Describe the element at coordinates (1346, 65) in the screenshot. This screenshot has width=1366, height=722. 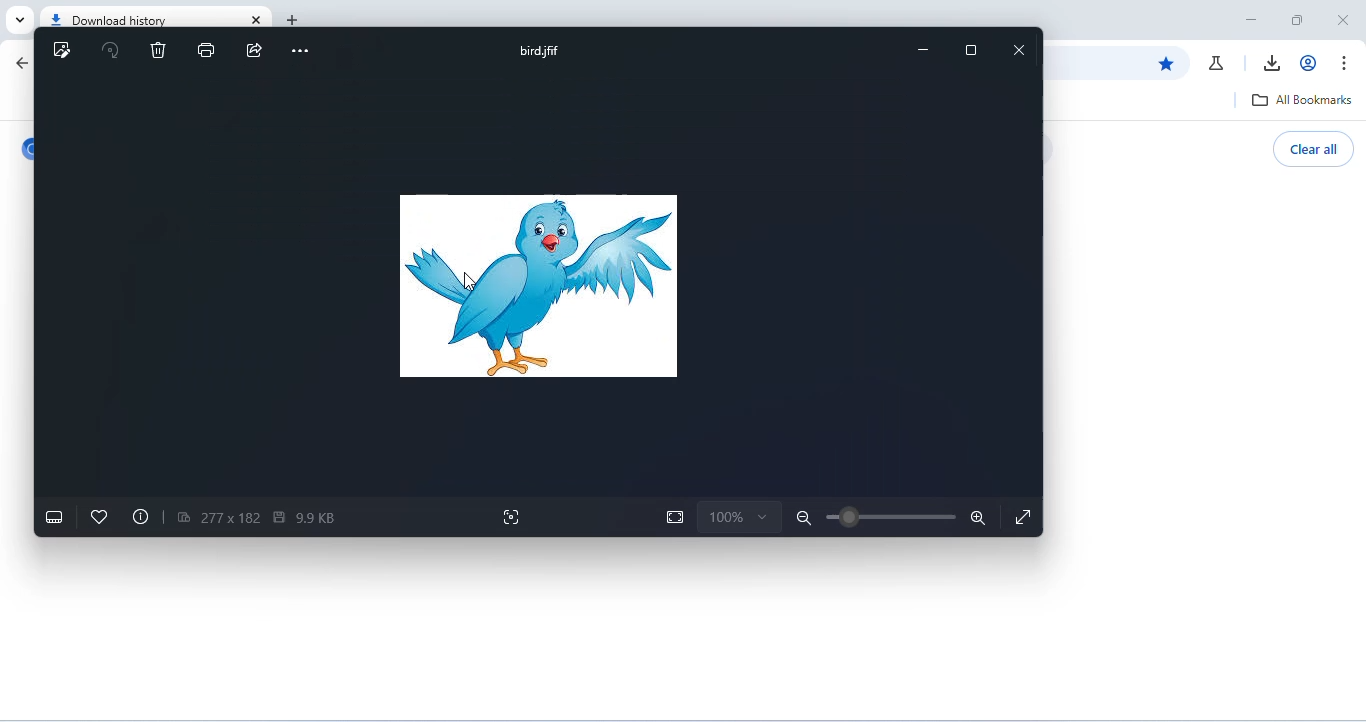
I see `customize and control chromium` at that location.